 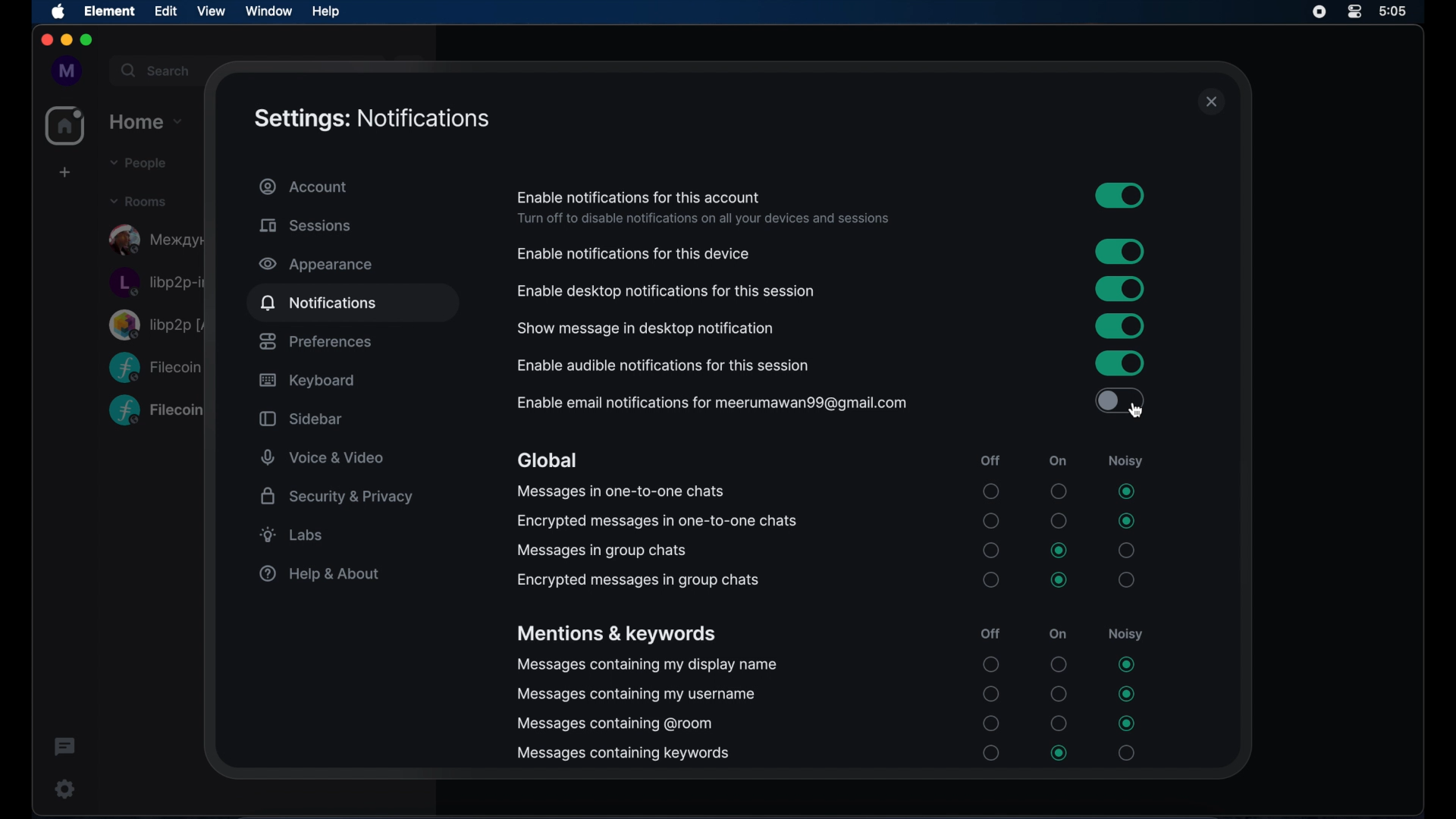 What do you see at coordinates (666, 291) in the screenshot?
I see `enable desktop notifications for this session` at bounding box center [666, 291].